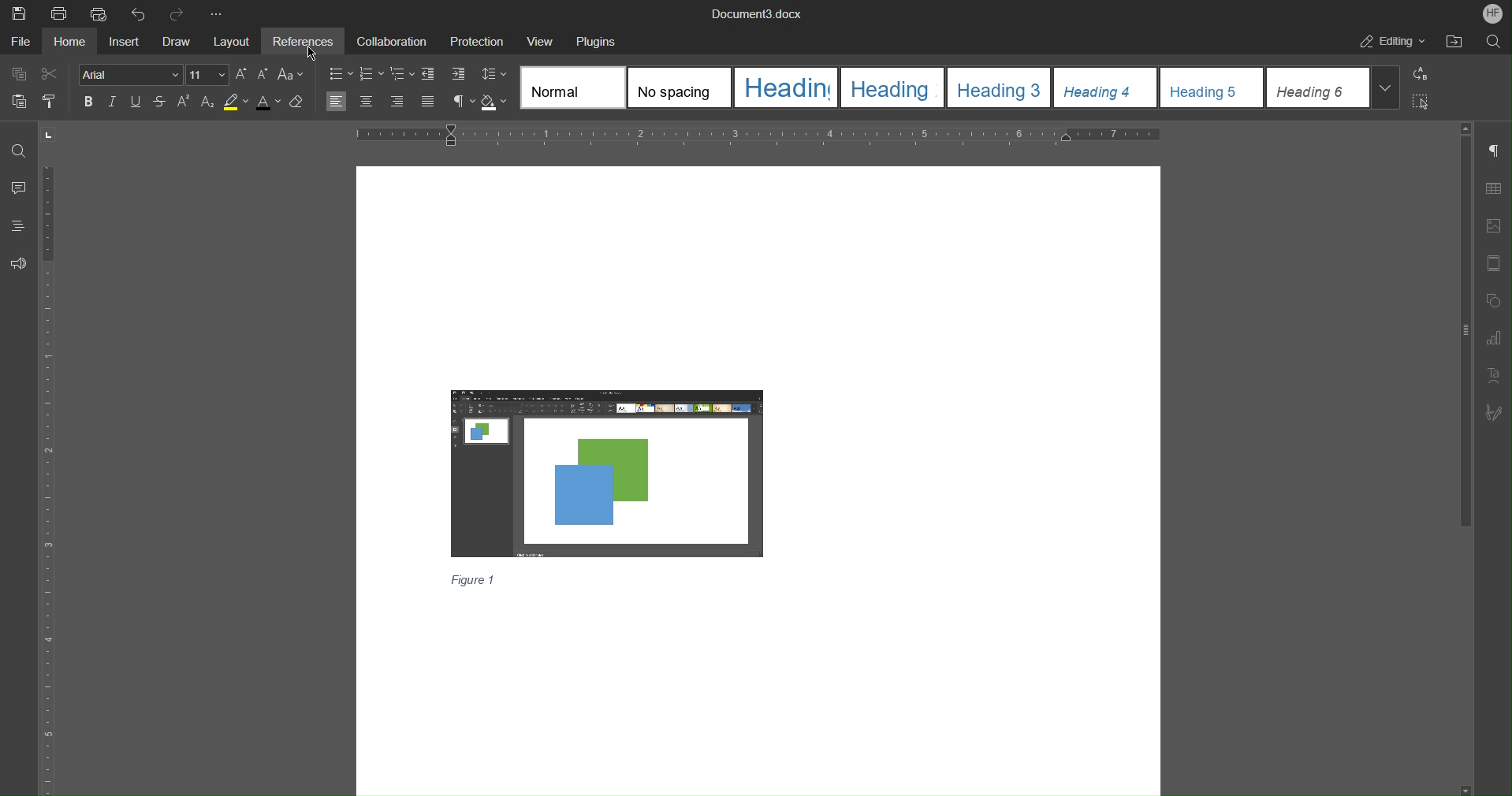 Image resolution: width=1512 pixels, height=796 pixels. What do you see at coordinates (159, 101) in the screenshot?
I see `Strikethrough` at bounding box center [159, 101].